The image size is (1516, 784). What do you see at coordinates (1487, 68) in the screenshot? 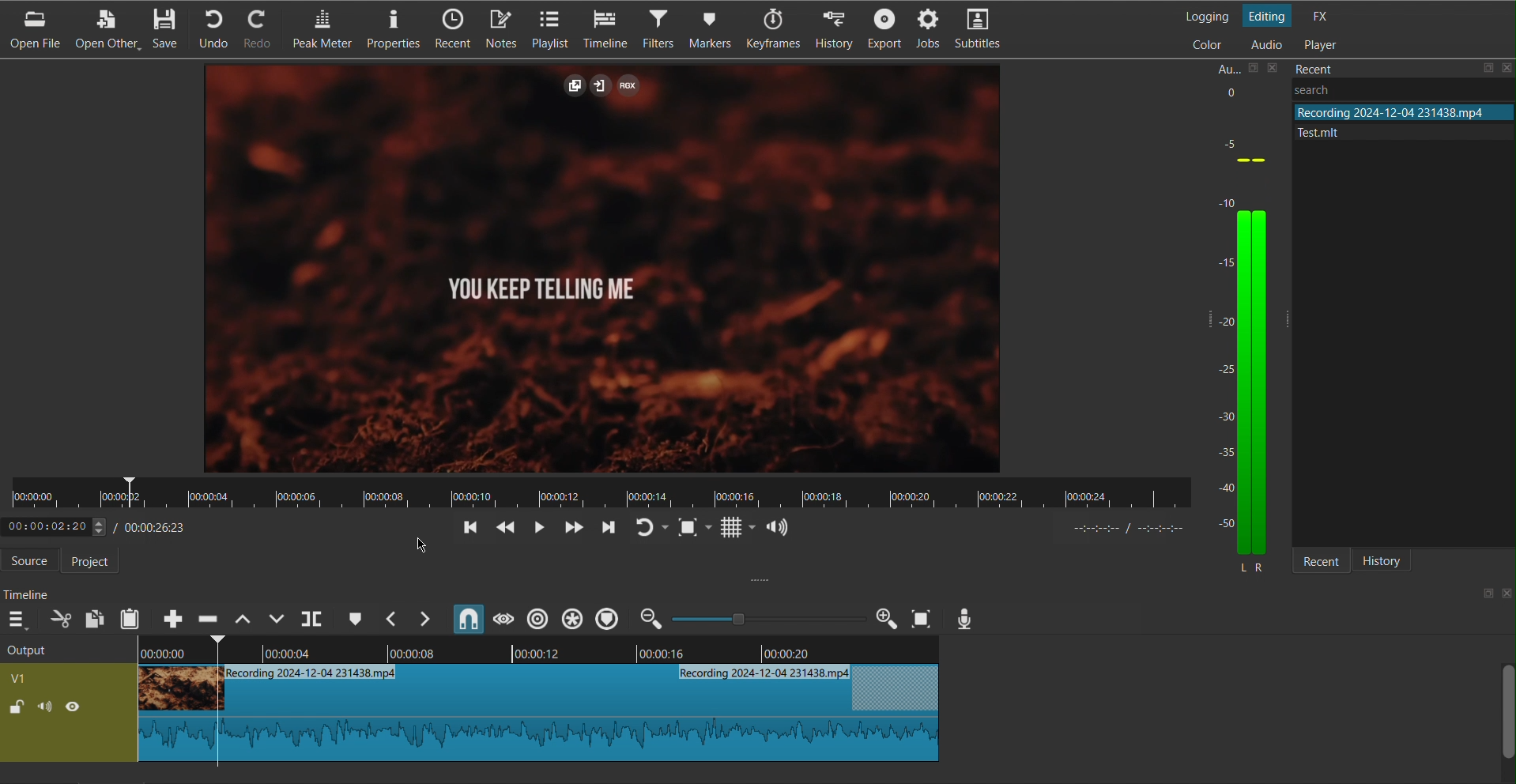
I see `save` at bounding box center [1487, 68].